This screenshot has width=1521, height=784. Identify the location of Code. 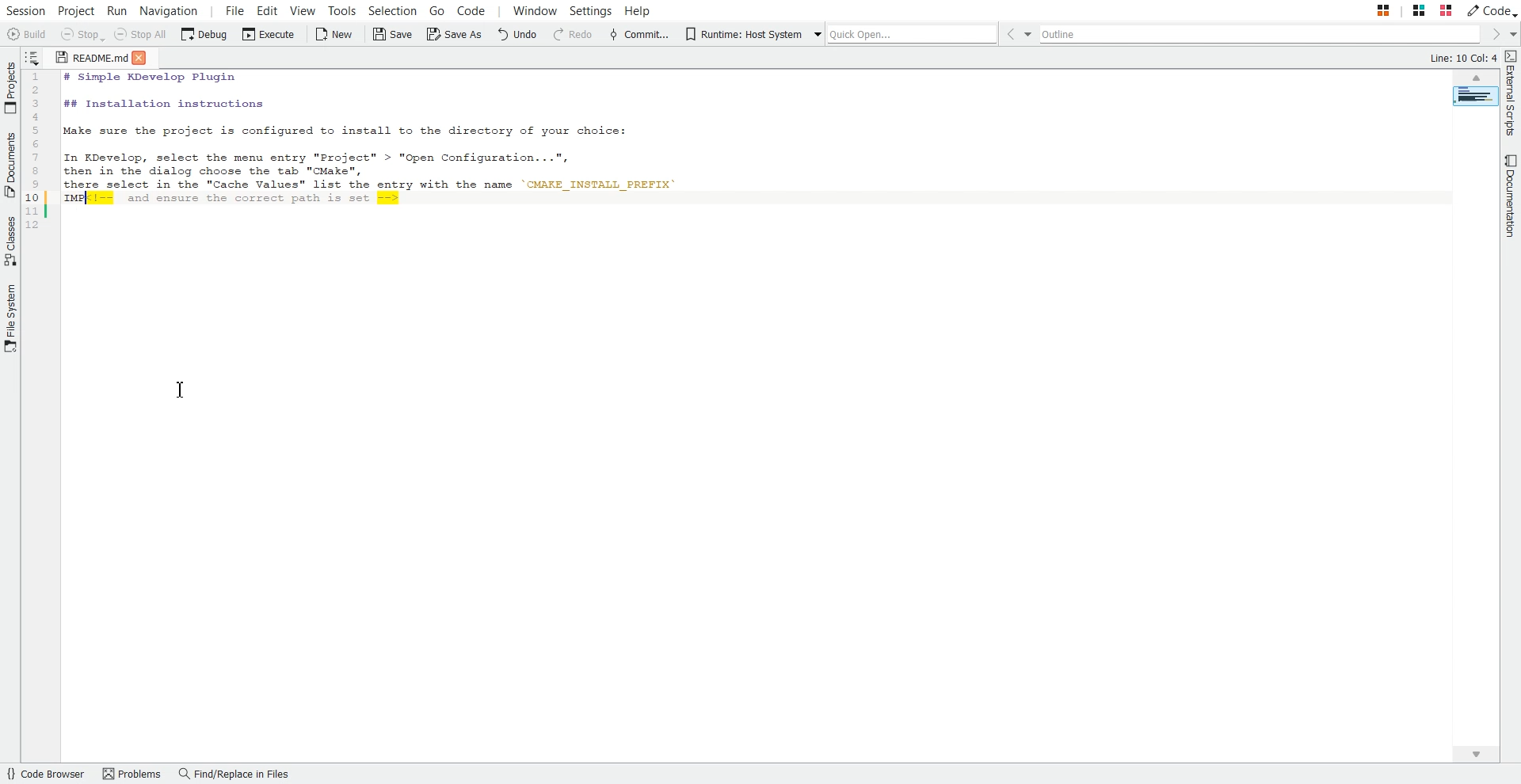
(1492, 10).